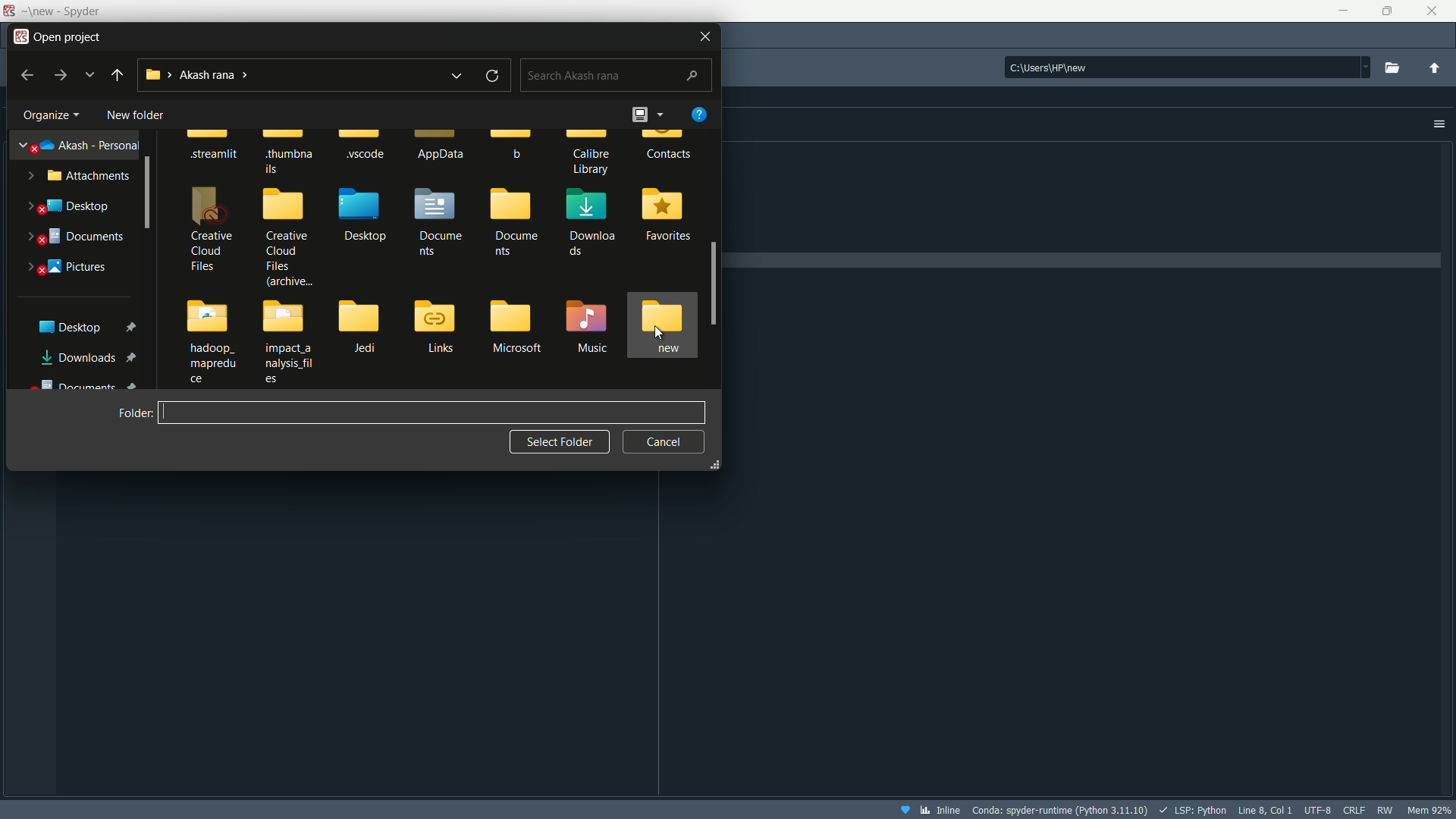 This screenshot has width=1456, height=819. What do you see at coordinates (1190, 808) in the screenshot?
I see `LSP:Python` at bounding box center [1190, 808].